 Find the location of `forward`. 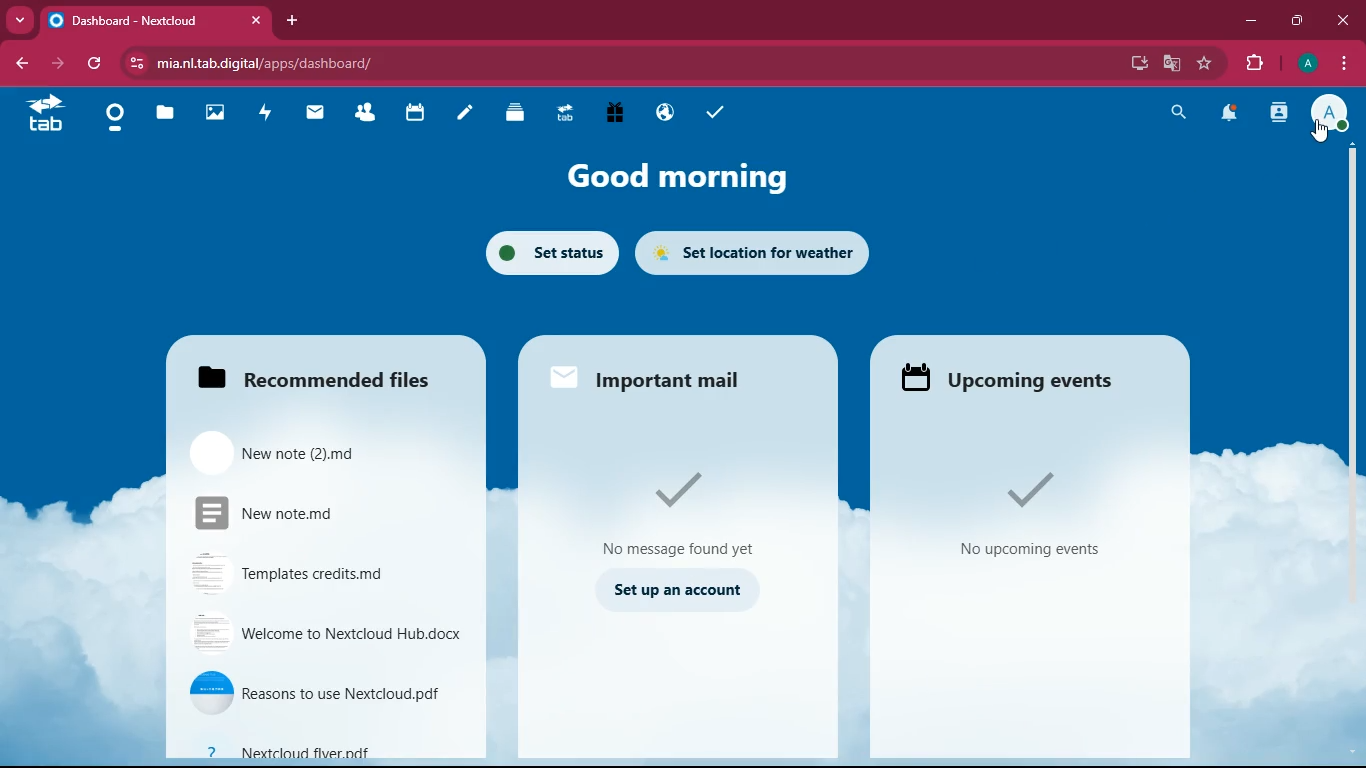

forward is located at coordinates (61, 64).